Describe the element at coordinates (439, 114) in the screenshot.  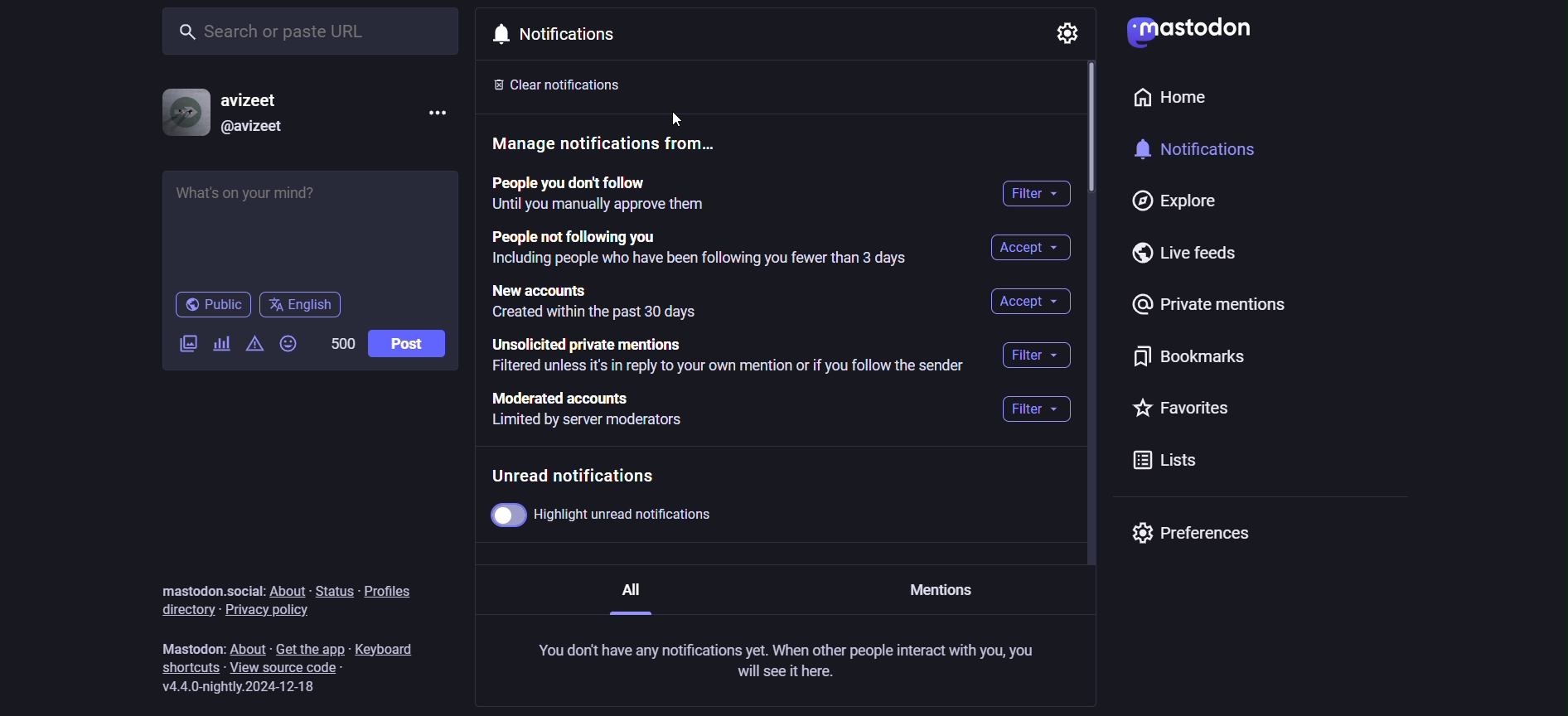
I see `more information` at that location.